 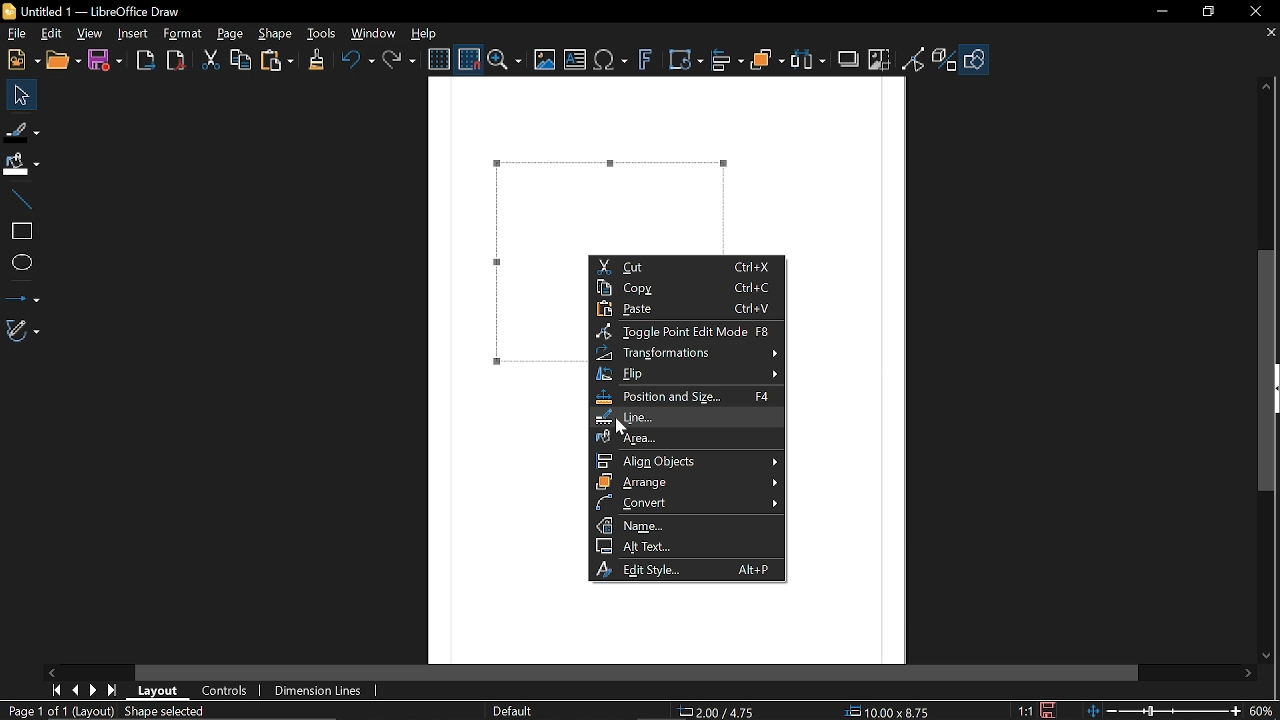 What do you see at coordinates (728, 61) in the screenshot?
I see `Align` at bounding box center [728, 61].